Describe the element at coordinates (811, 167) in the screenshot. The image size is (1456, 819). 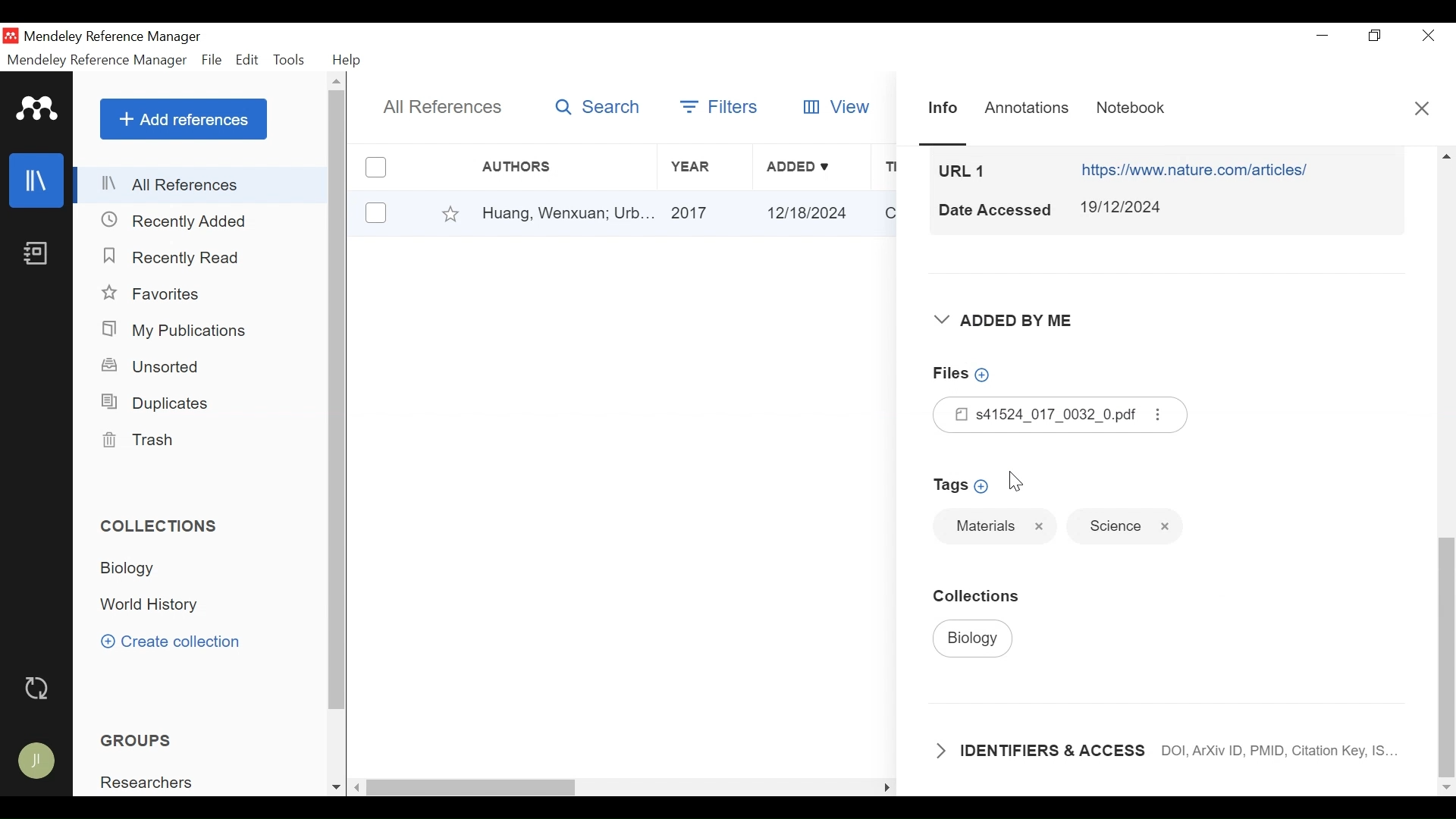
I see `Added` at that location.